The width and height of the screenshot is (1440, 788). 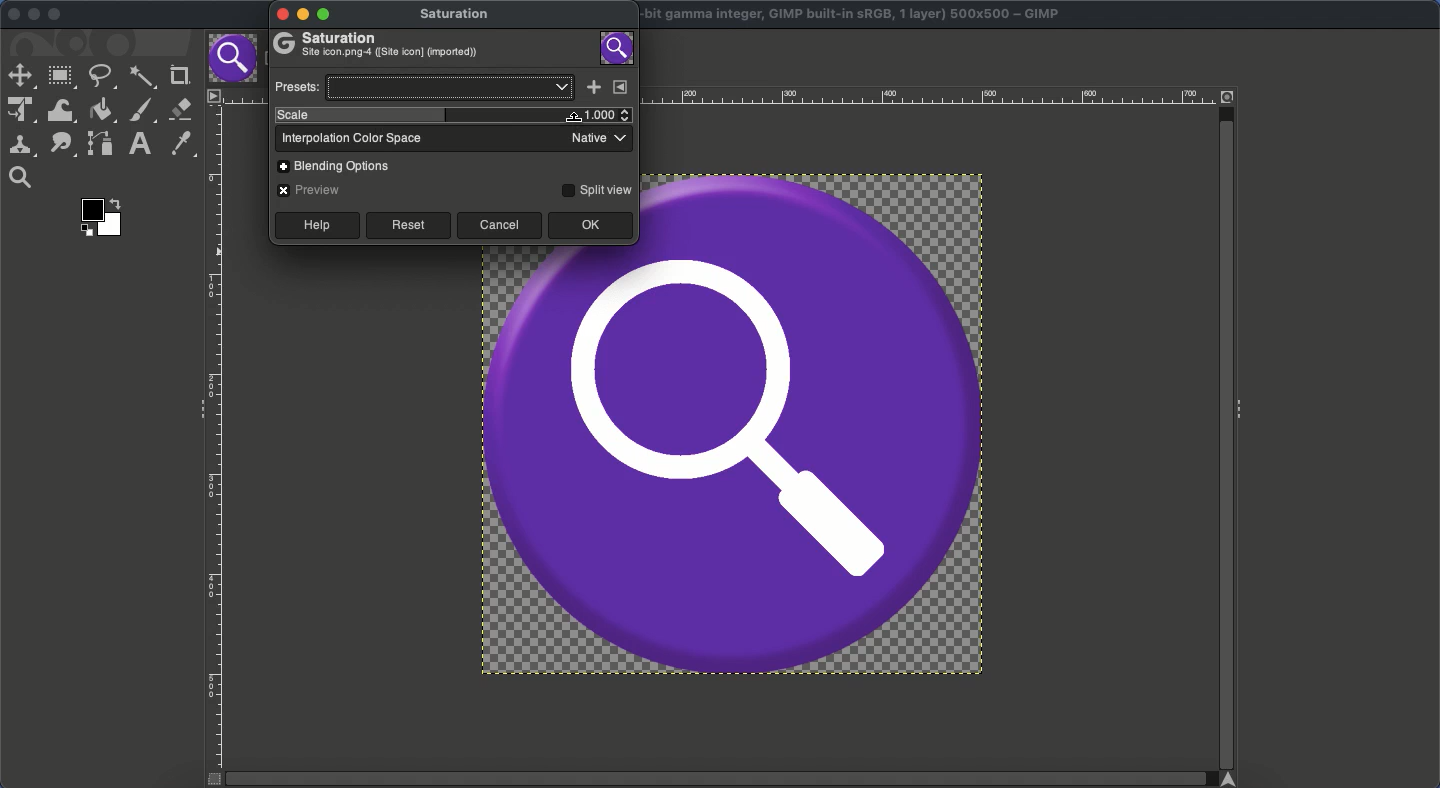 I want to click on Freeform selector, so click(x=102, y=78).